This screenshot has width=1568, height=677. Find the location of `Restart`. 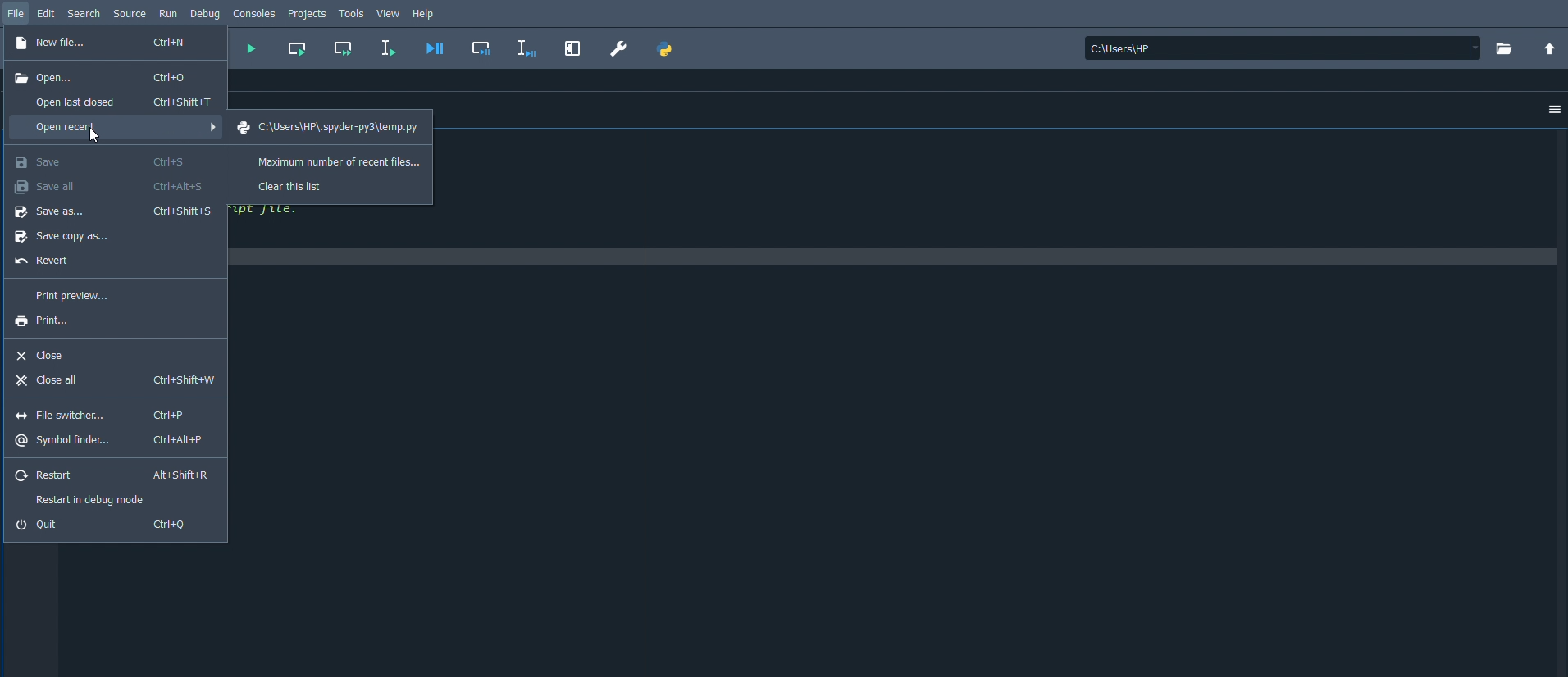

Restart is located at coordinates (112, 476).